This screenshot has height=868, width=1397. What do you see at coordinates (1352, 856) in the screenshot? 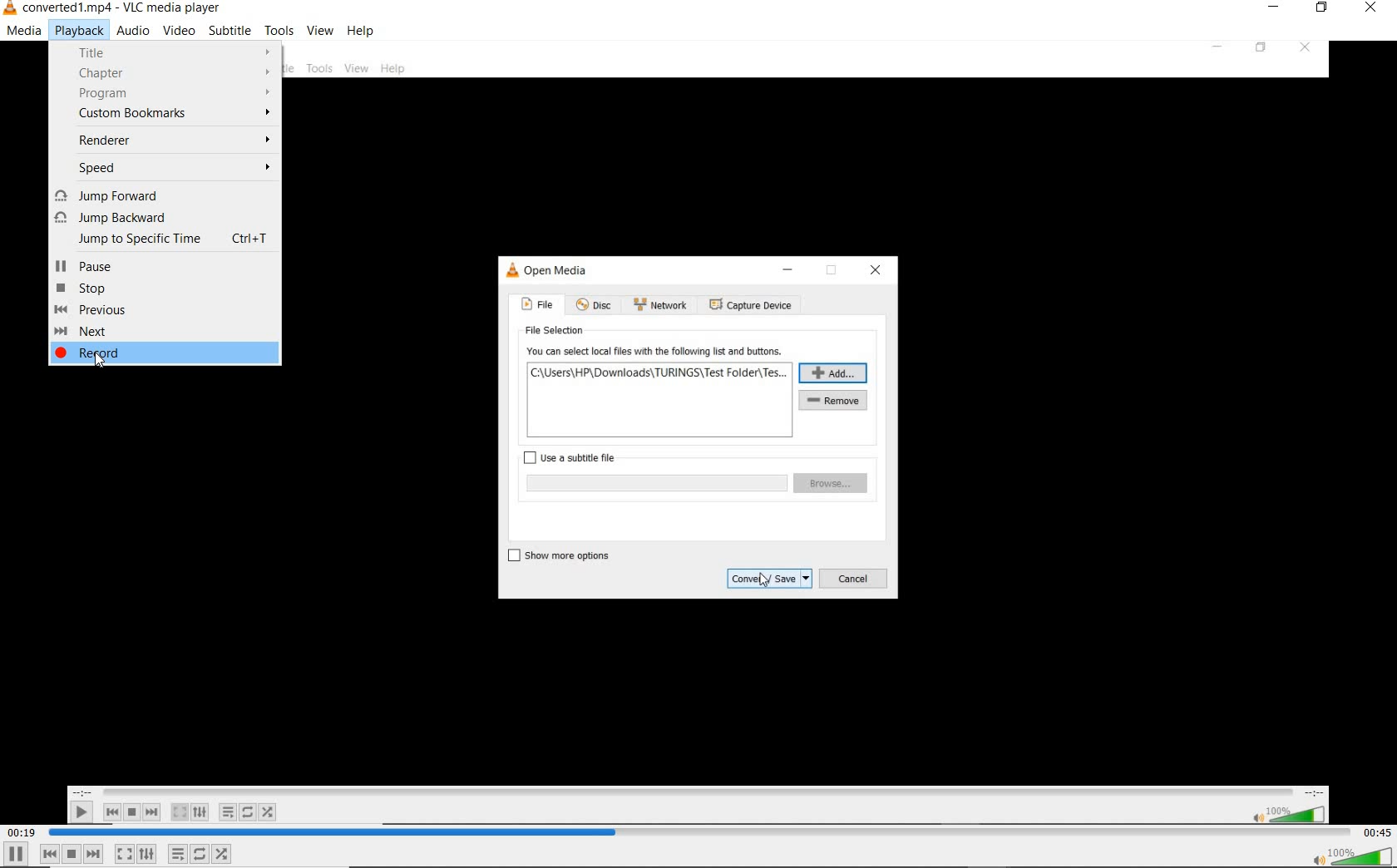
I see `volume button` at bounding box center [1352, 856].